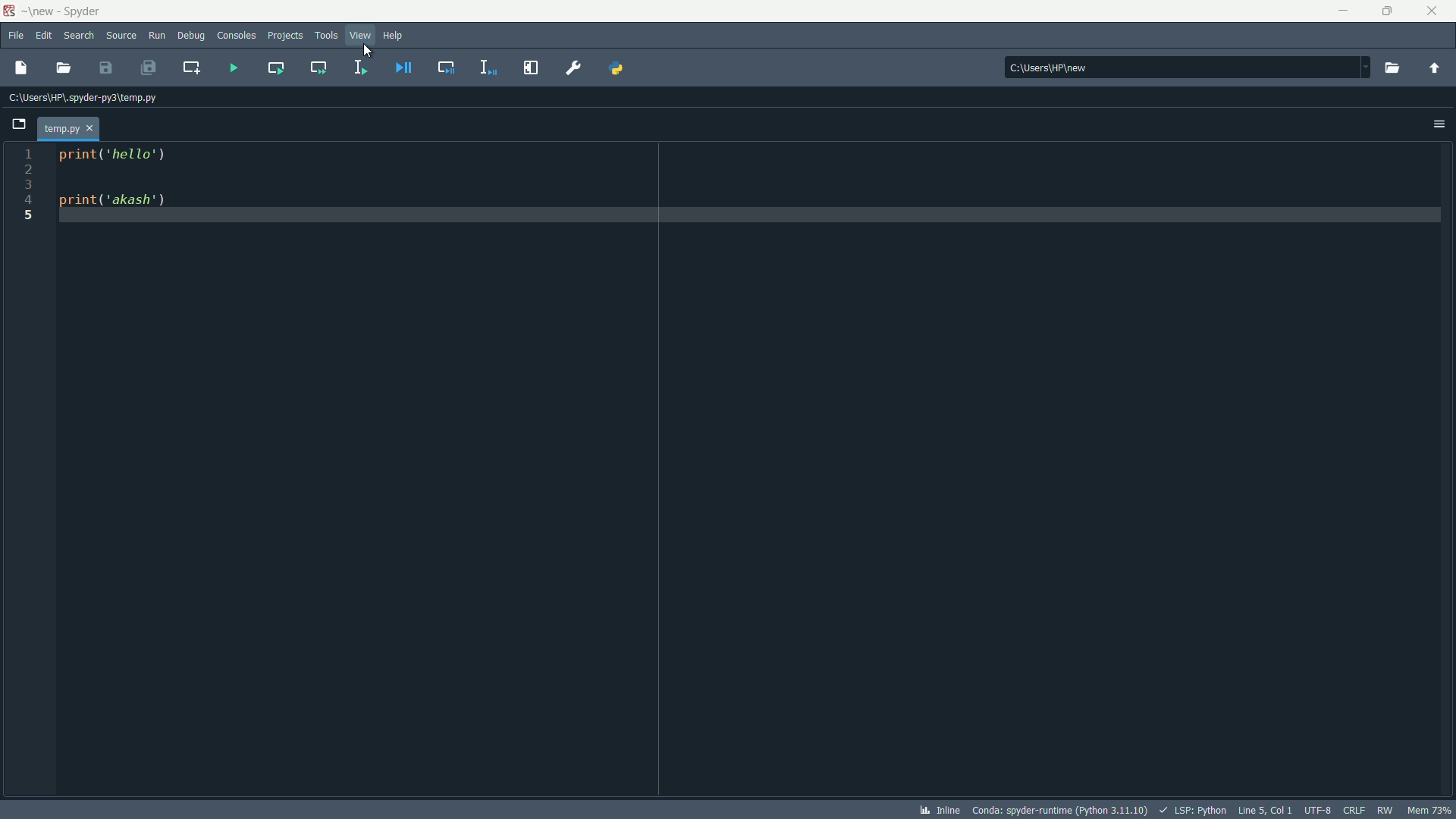 Image resolution: width=1456 pixels, height=819 pixels. I want to click on preferences, so click(571, 67).